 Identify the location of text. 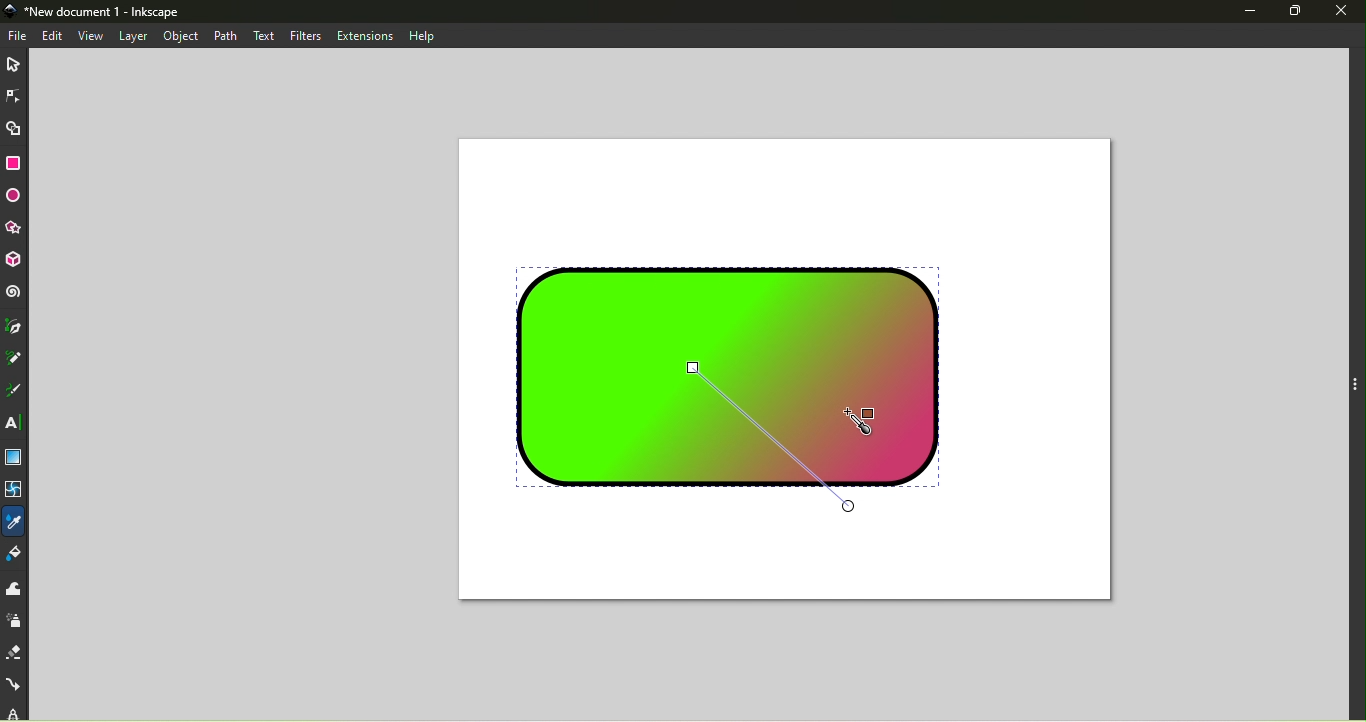
(262, 34).